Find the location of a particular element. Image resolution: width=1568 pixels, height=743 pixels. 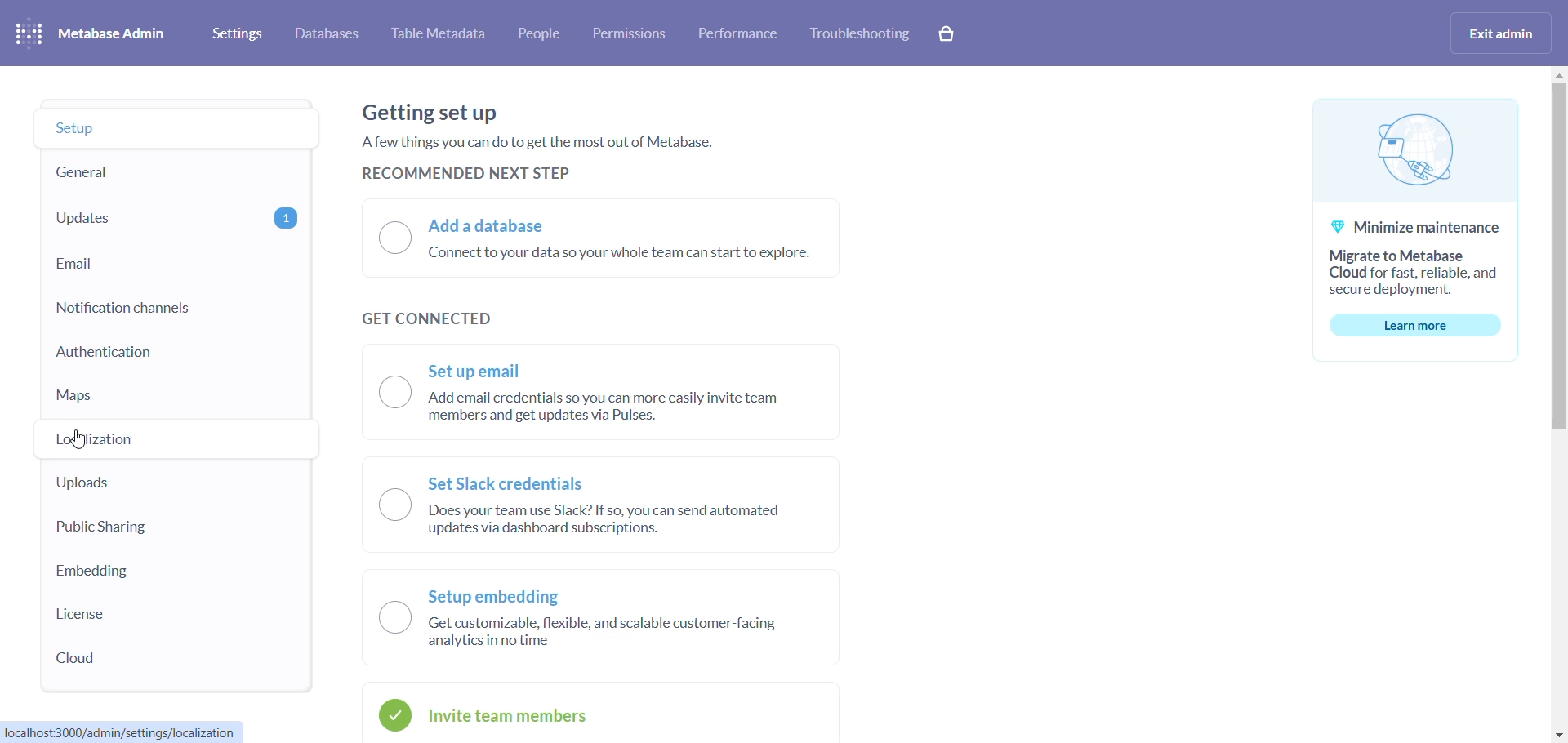

cart is located at coordinates (947, 33).